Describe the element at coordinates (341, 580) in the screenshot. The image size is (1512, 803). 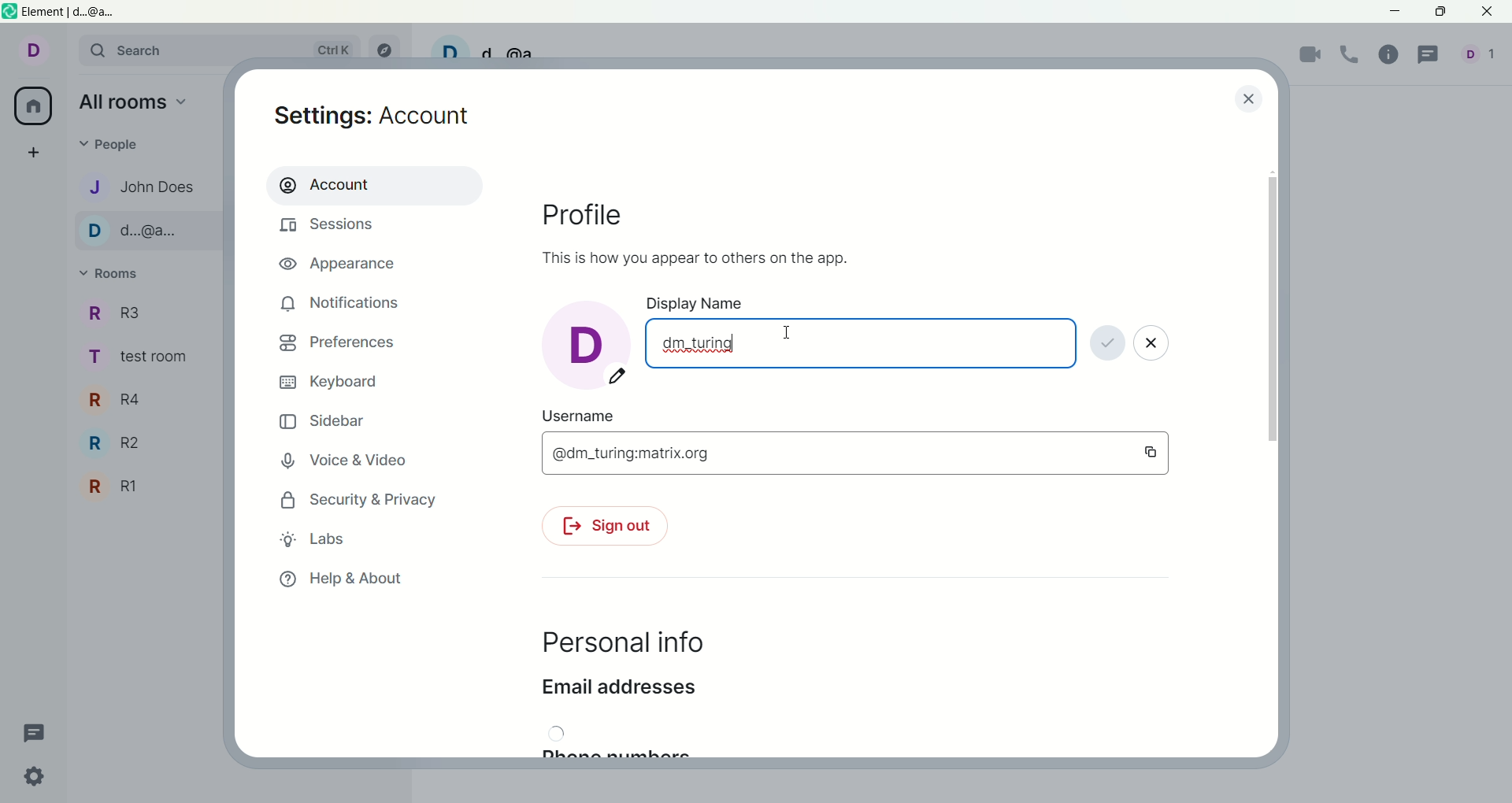
I see `help and about` at that location.